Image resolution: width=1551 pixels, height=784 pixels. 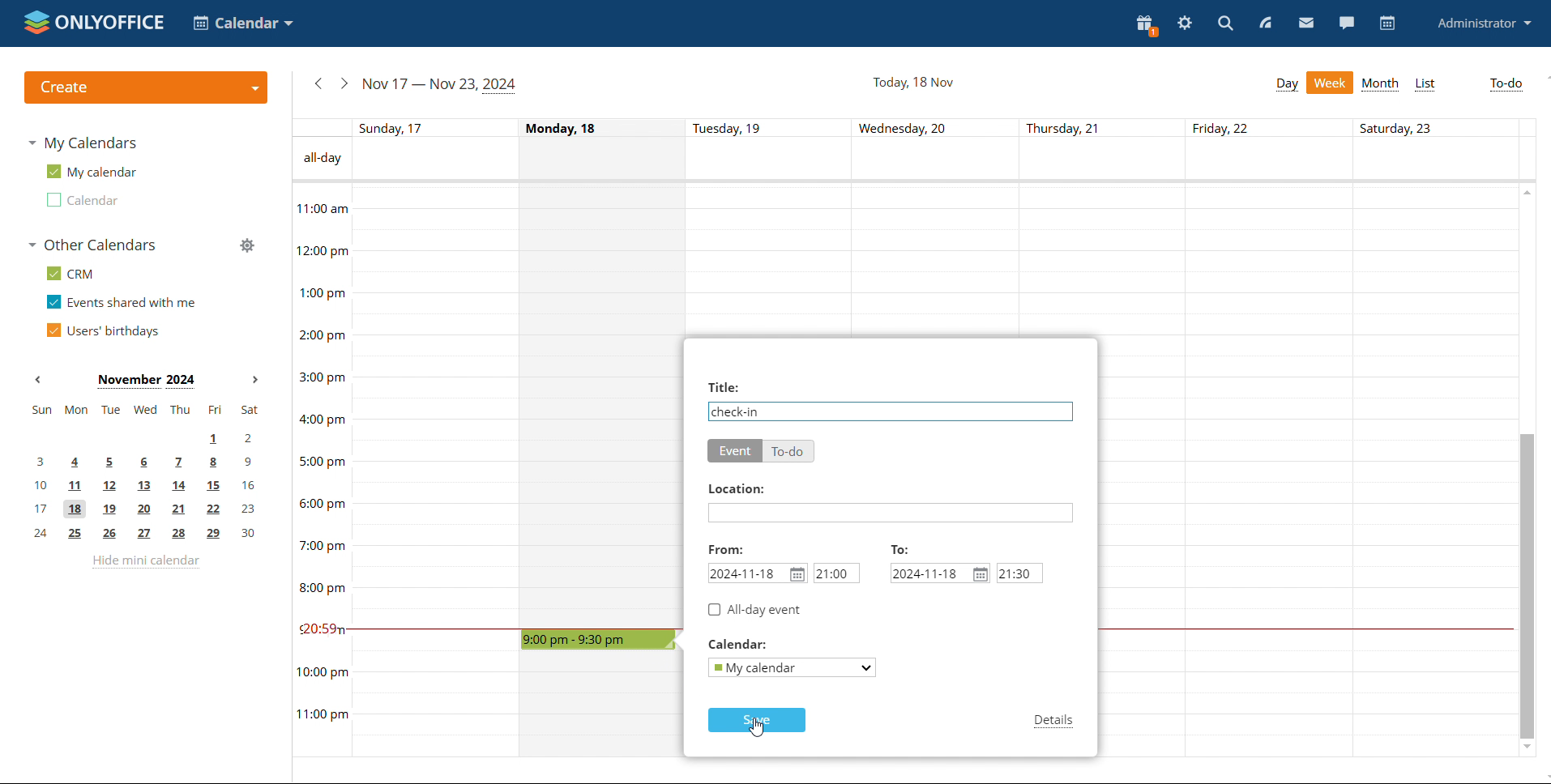 What do you see at coordinates (1307, 23) in the screenshot?
I see `mail` at bounding box center [1307, 23].